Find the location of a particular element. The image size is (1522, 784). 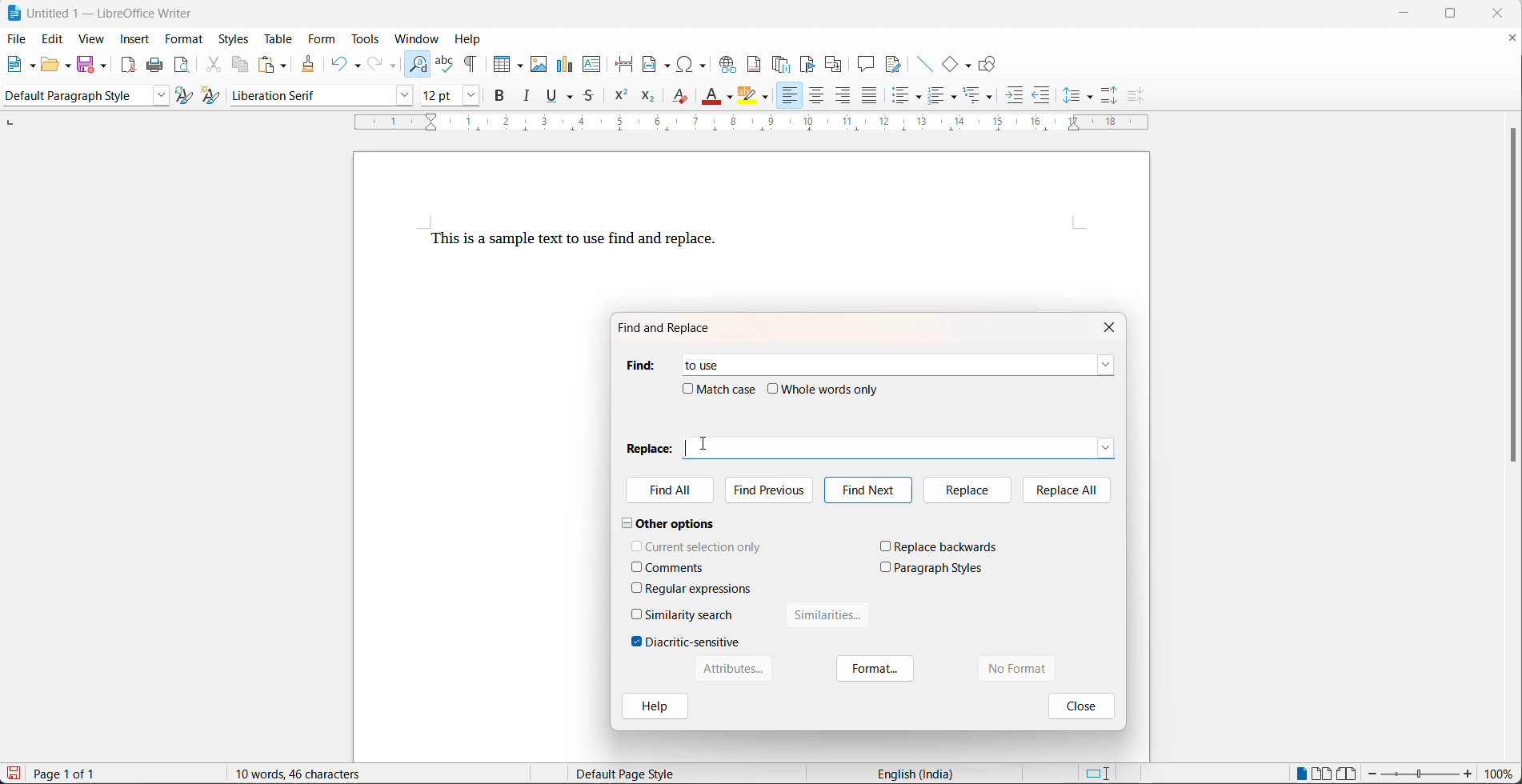

insert bookmark is located at coordinates (811, 64).